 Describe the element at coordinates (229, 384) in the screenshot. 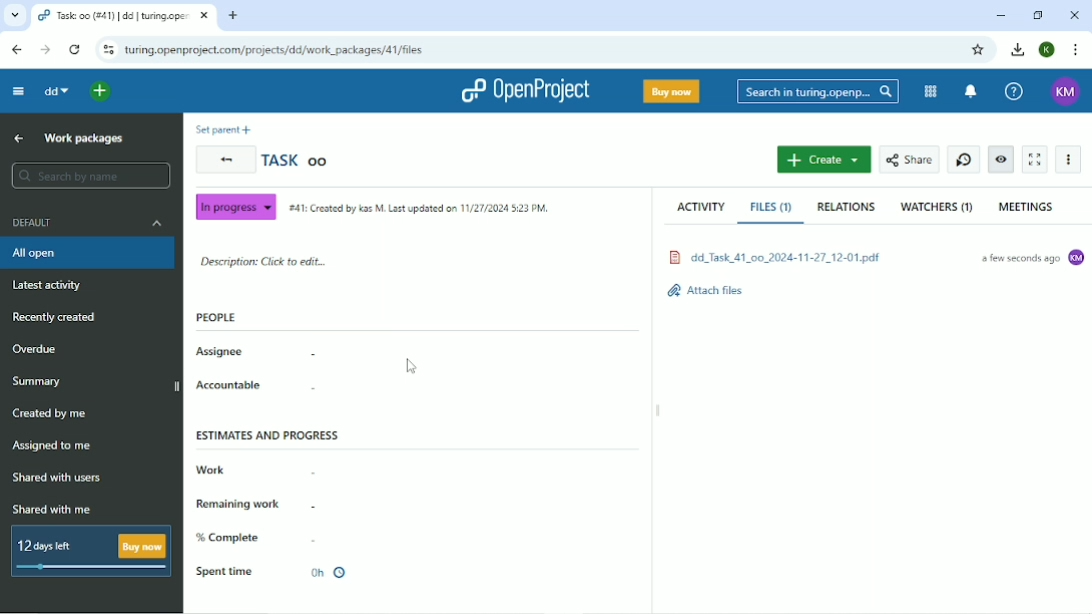

I see `Accountable` at that location.